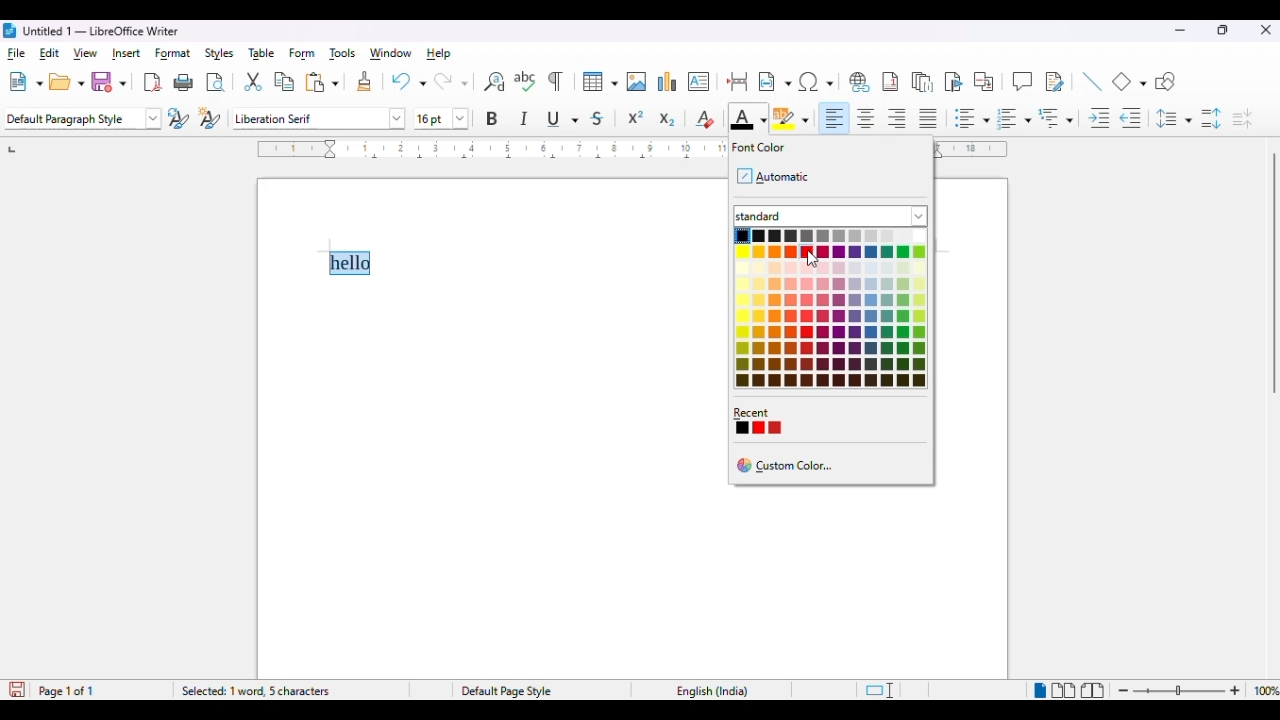  I want to click on show track changes functions, so click(1054, 82).